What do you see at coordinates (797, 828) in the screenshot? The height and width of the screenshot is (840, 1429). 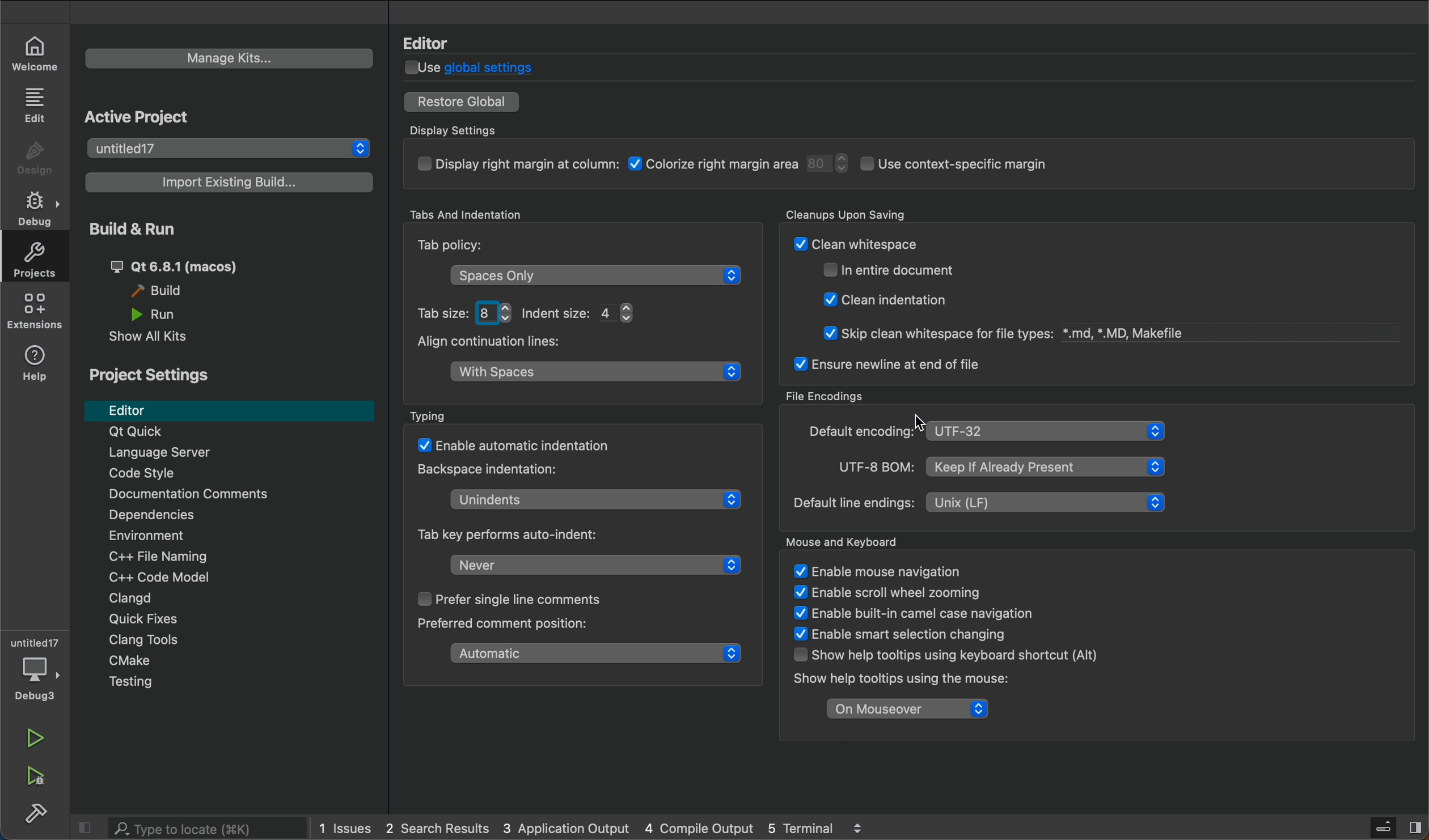 I see `` at bounding box center [797, 828].